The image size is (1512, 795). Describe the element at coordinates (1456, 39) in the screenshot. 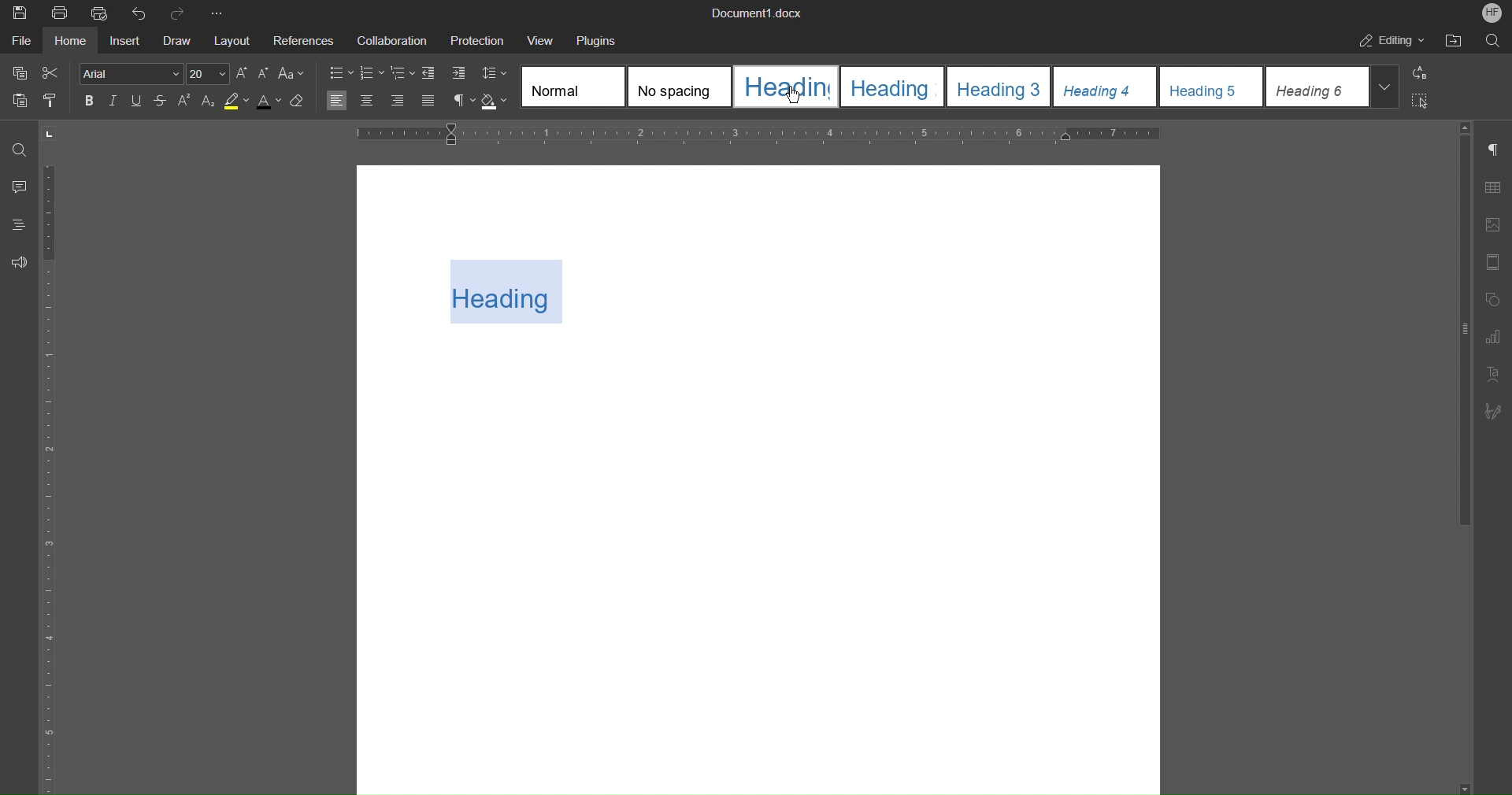

I see `Open File Location` at that location.